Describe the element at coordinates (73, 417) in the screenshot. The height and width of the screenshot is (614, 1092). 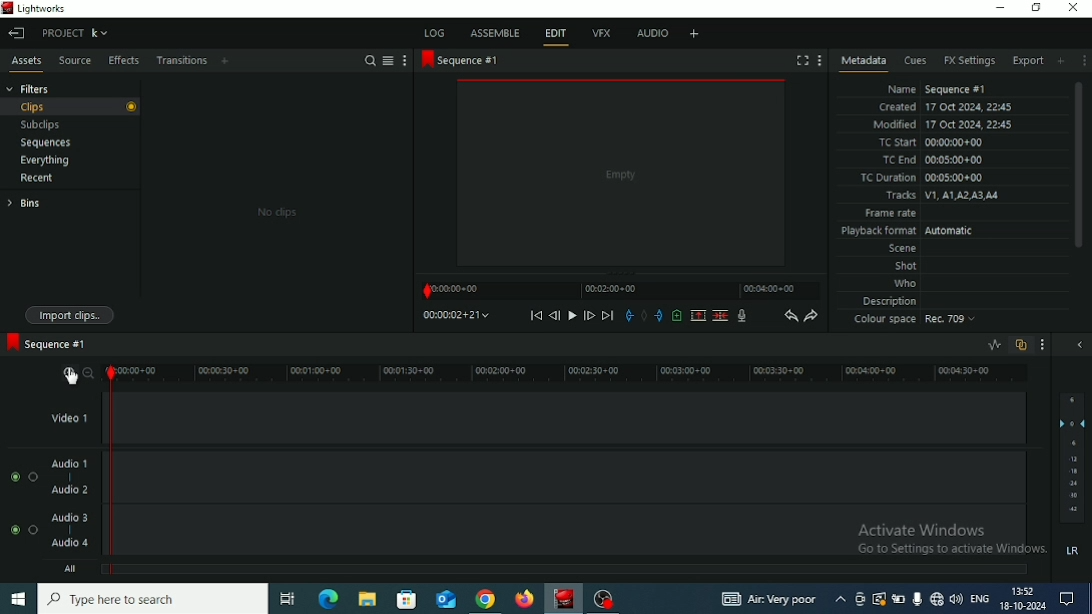
I see `Video 1` at that location.